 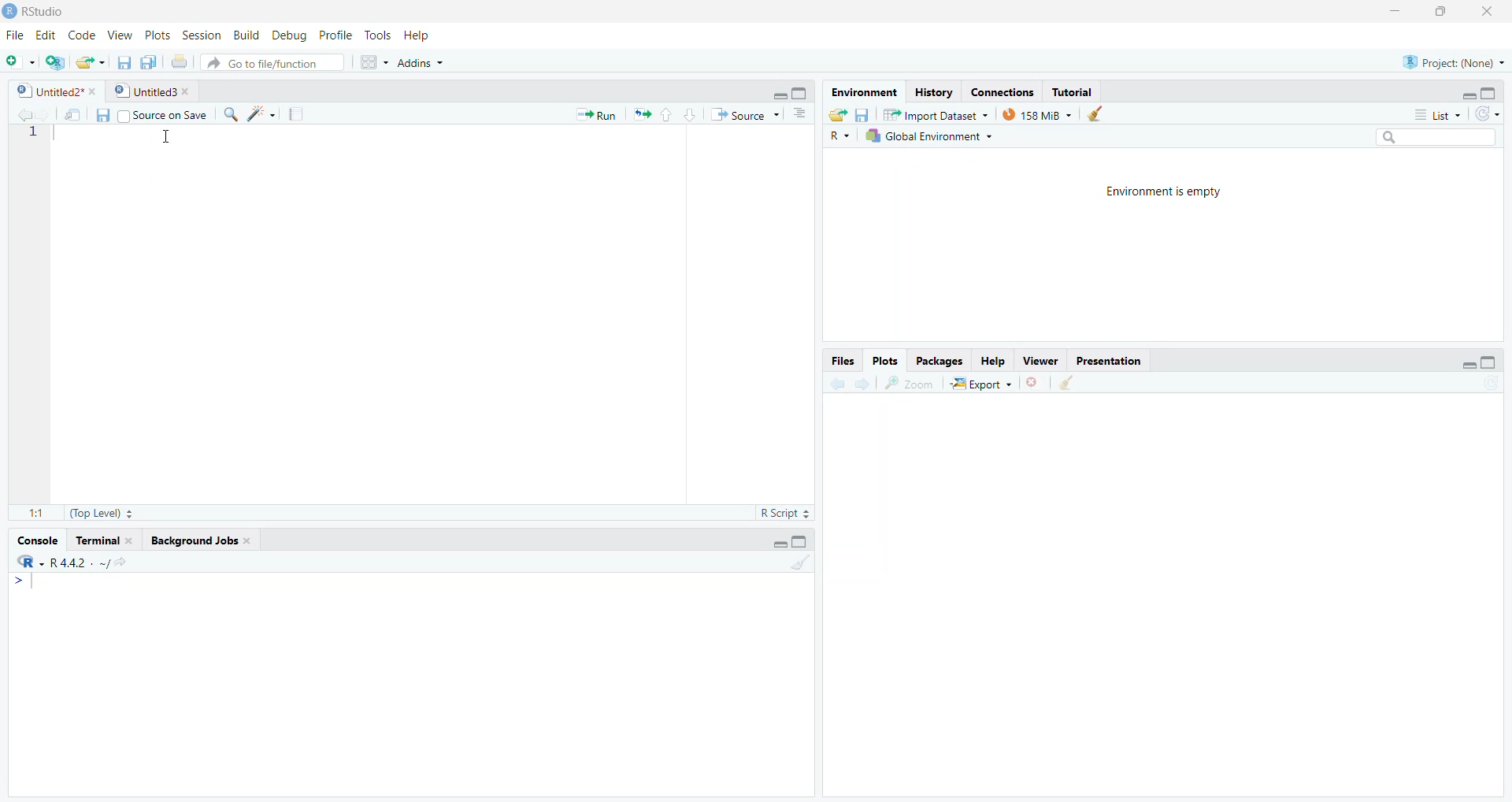 I want to click on Rerun the previous code, so click(x=664, y=113).